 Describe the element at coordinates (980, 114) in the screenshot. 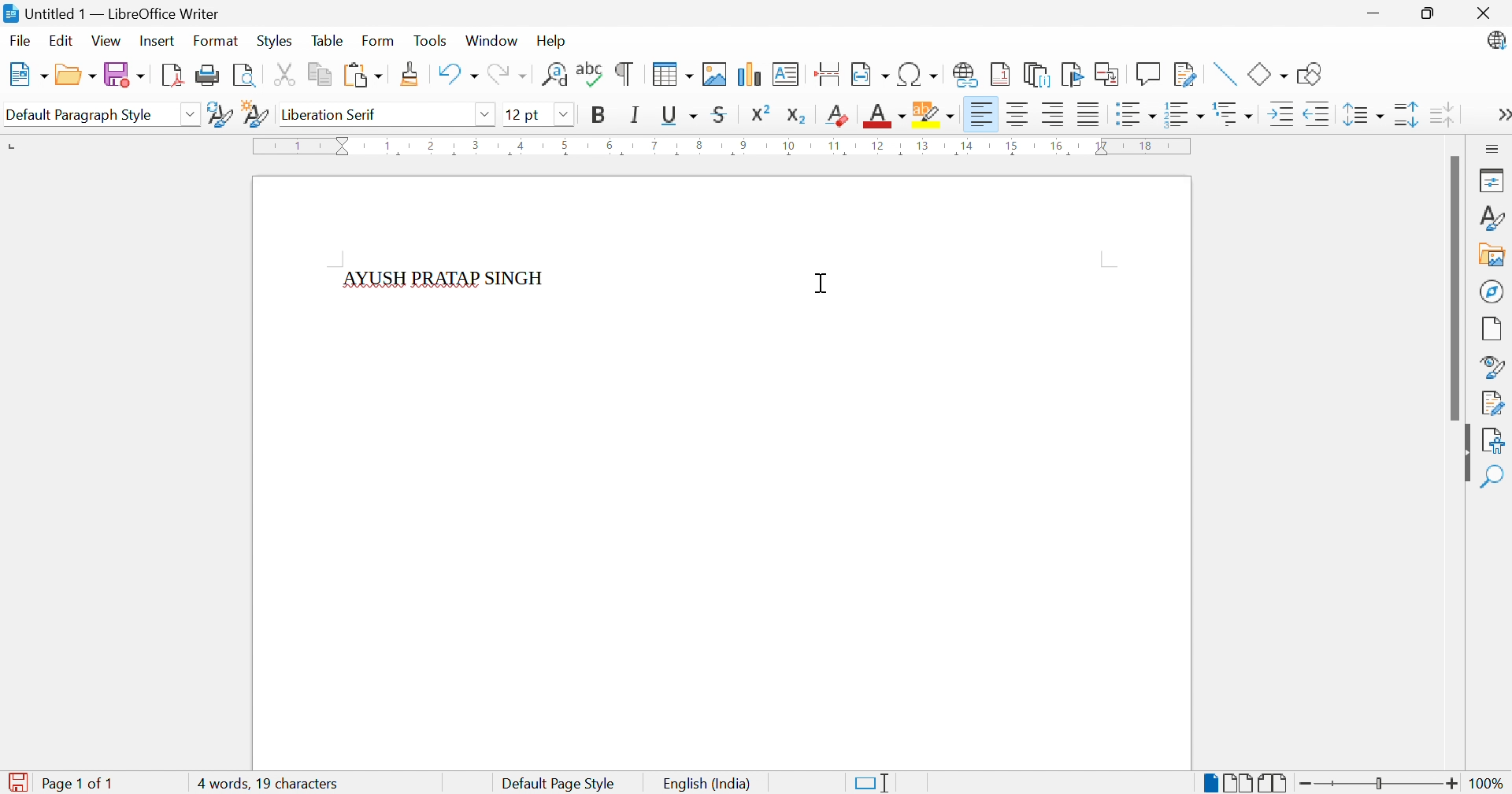

I see `Align Left` at that location.